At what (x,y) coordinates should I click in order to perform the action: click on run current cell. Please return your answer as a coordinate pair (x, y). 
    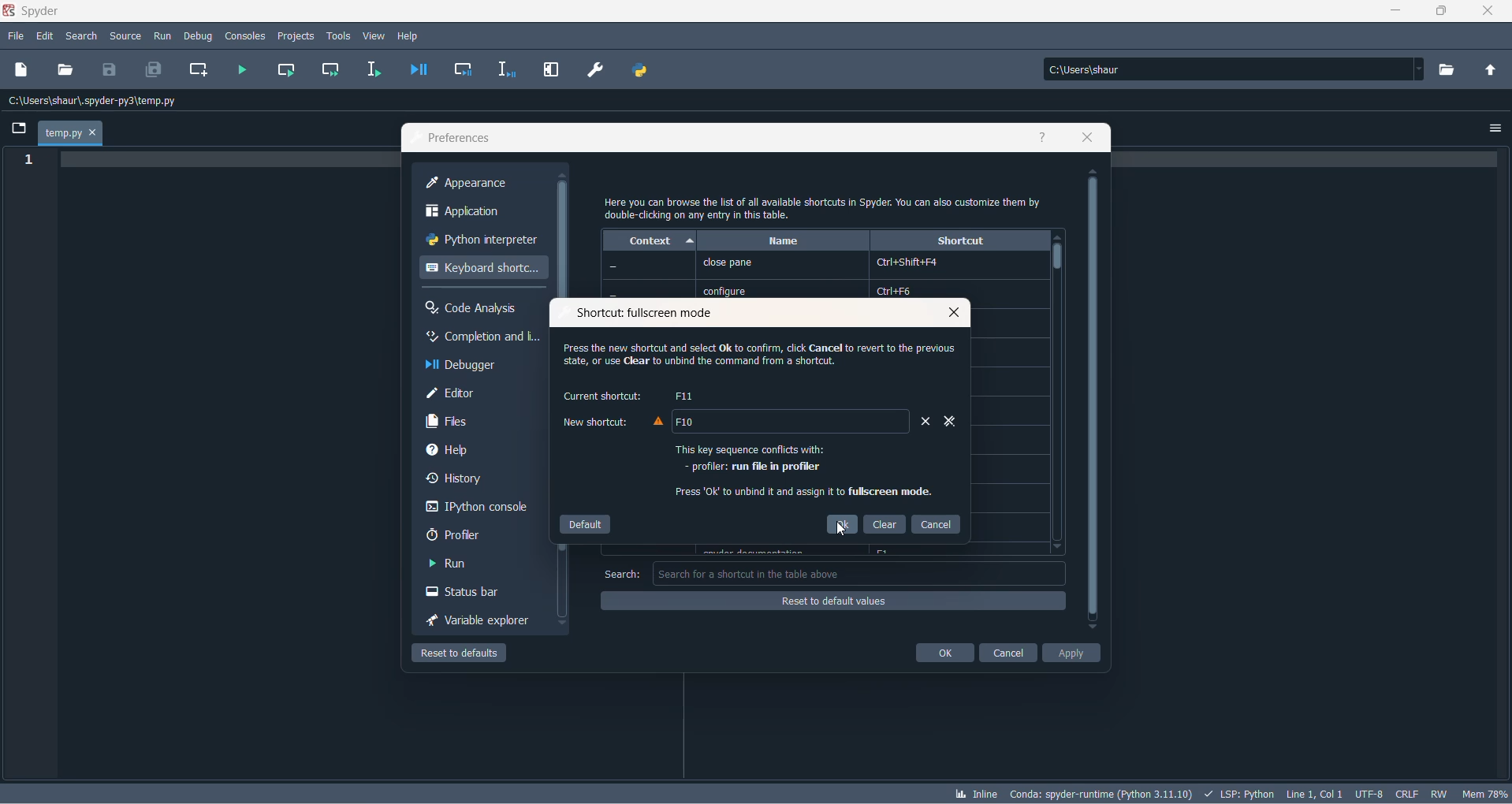
    Looking at the image, I should click on (283, 71).